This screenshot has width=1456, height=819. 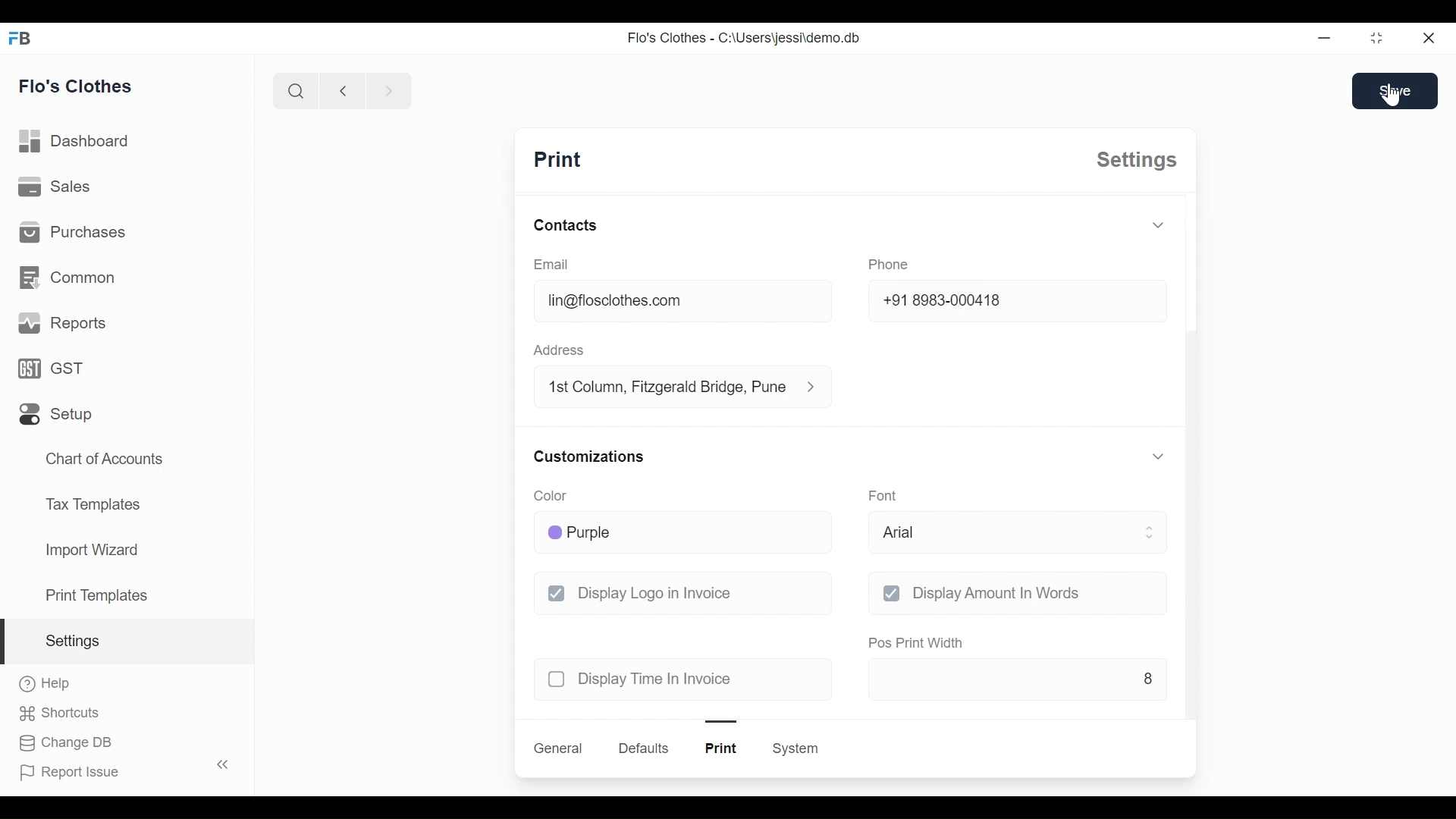 What do you see at coordinates (1390, 94) in the screenshot?
I see `cursor` at bounding box center [1390, 94].